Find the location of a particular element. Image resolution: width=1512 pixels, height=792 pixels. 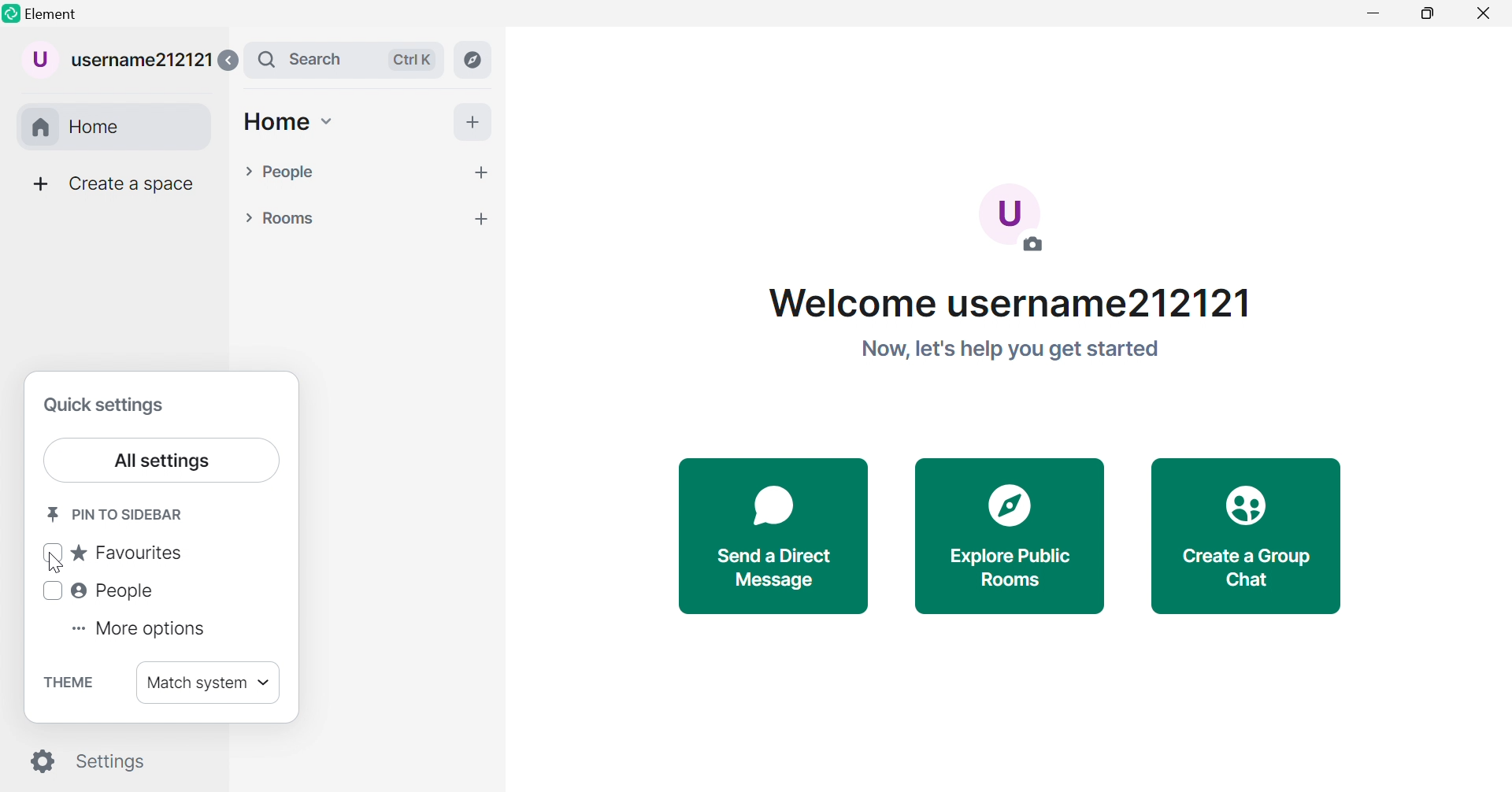

Welcome username212121 is located at coordinates (1010, 303).